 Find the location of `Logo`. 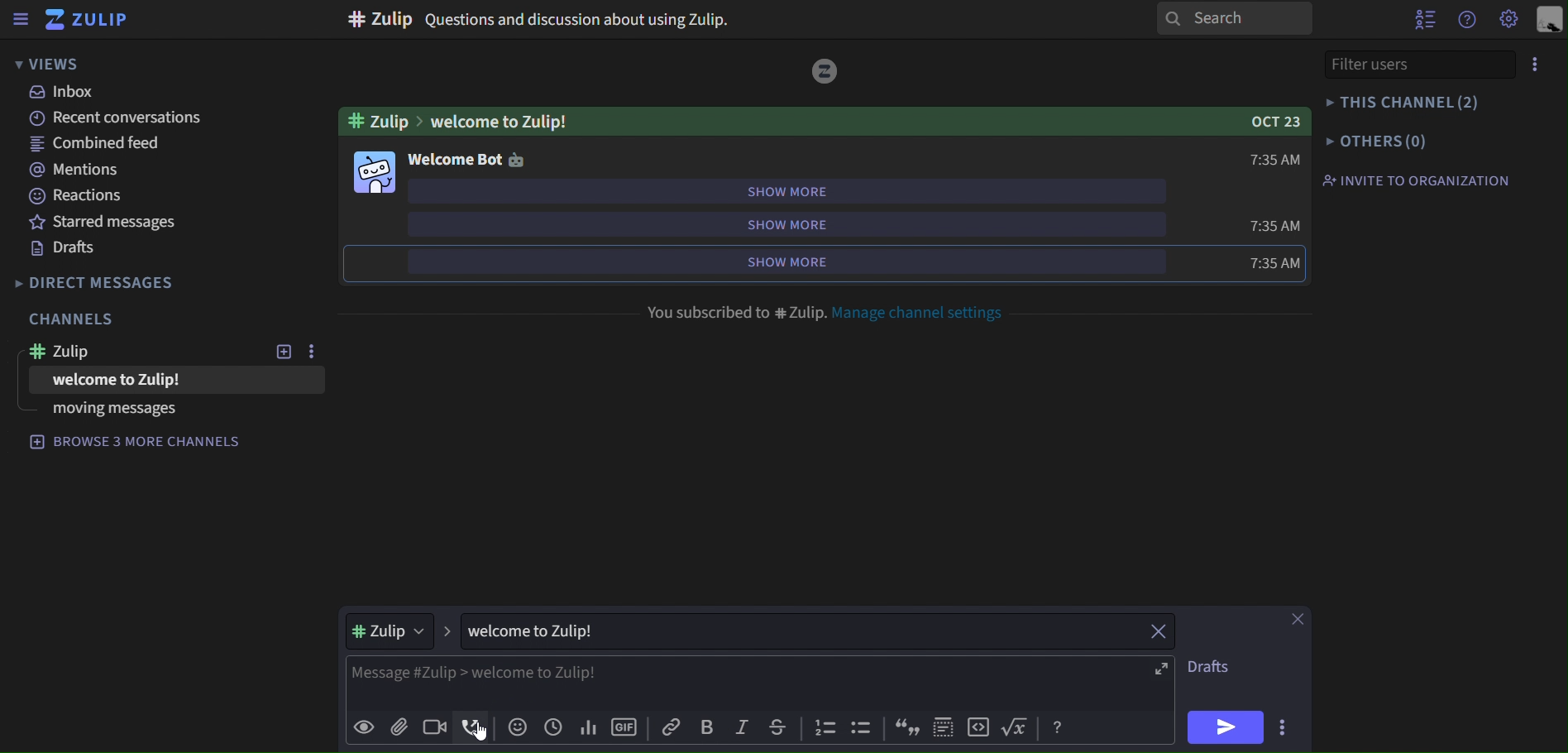

Logo is located at coordinates (828, 72).